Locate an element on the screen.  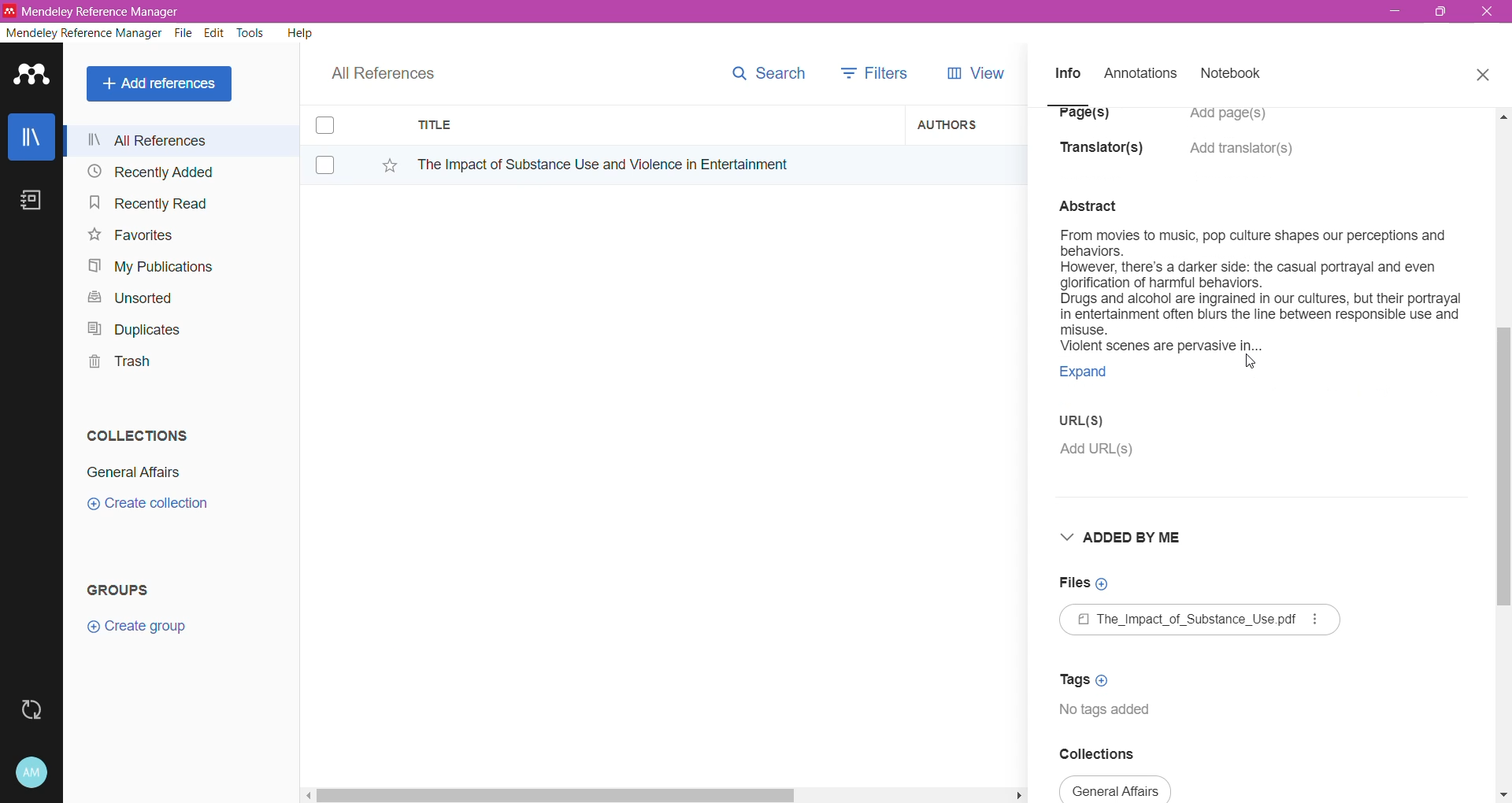
Click to Add Tags is located at coordinates (1093, 682).